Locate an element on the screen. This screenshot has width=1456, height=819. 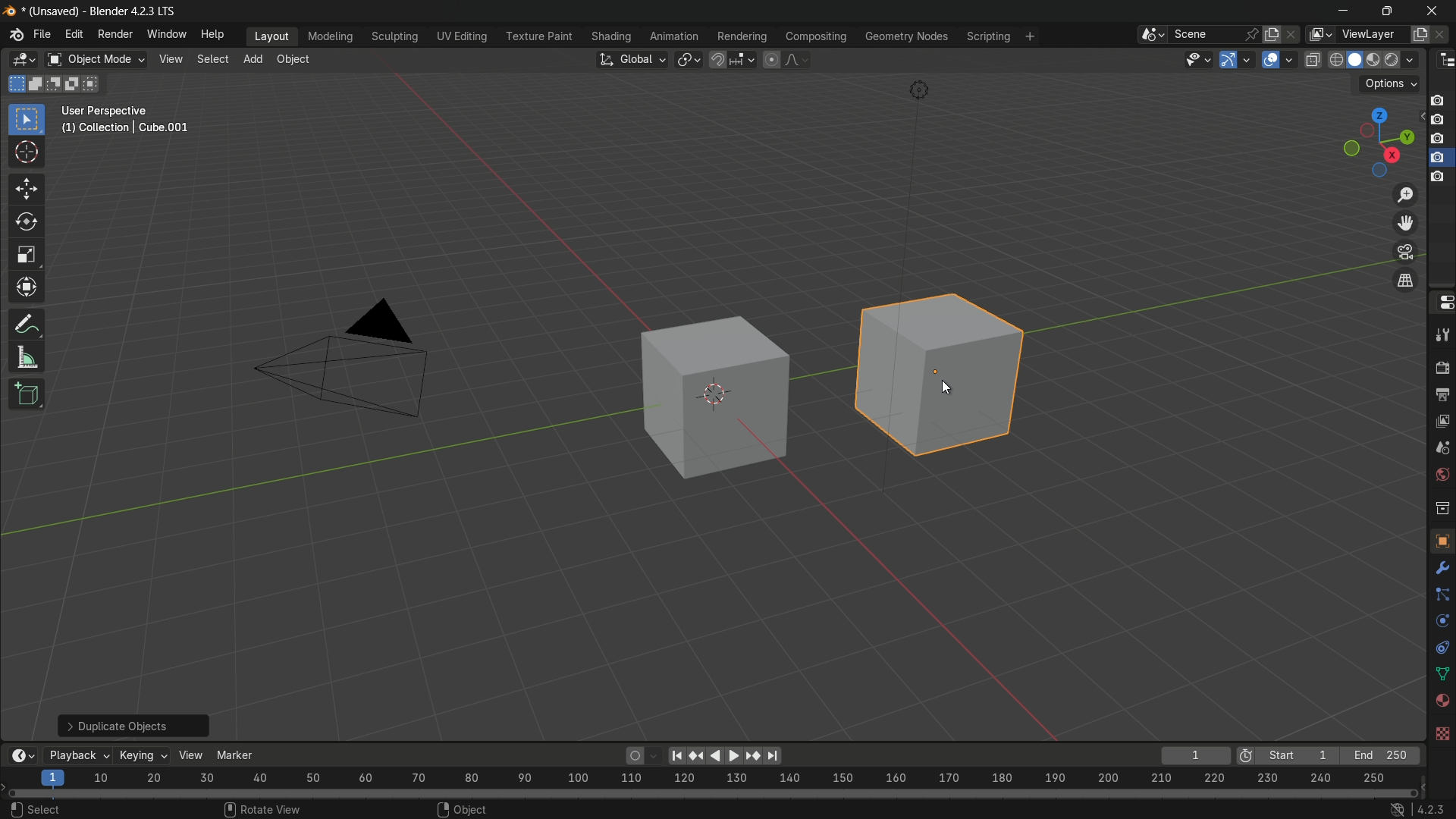
show gizmo is located at coordinates (1228, 60).